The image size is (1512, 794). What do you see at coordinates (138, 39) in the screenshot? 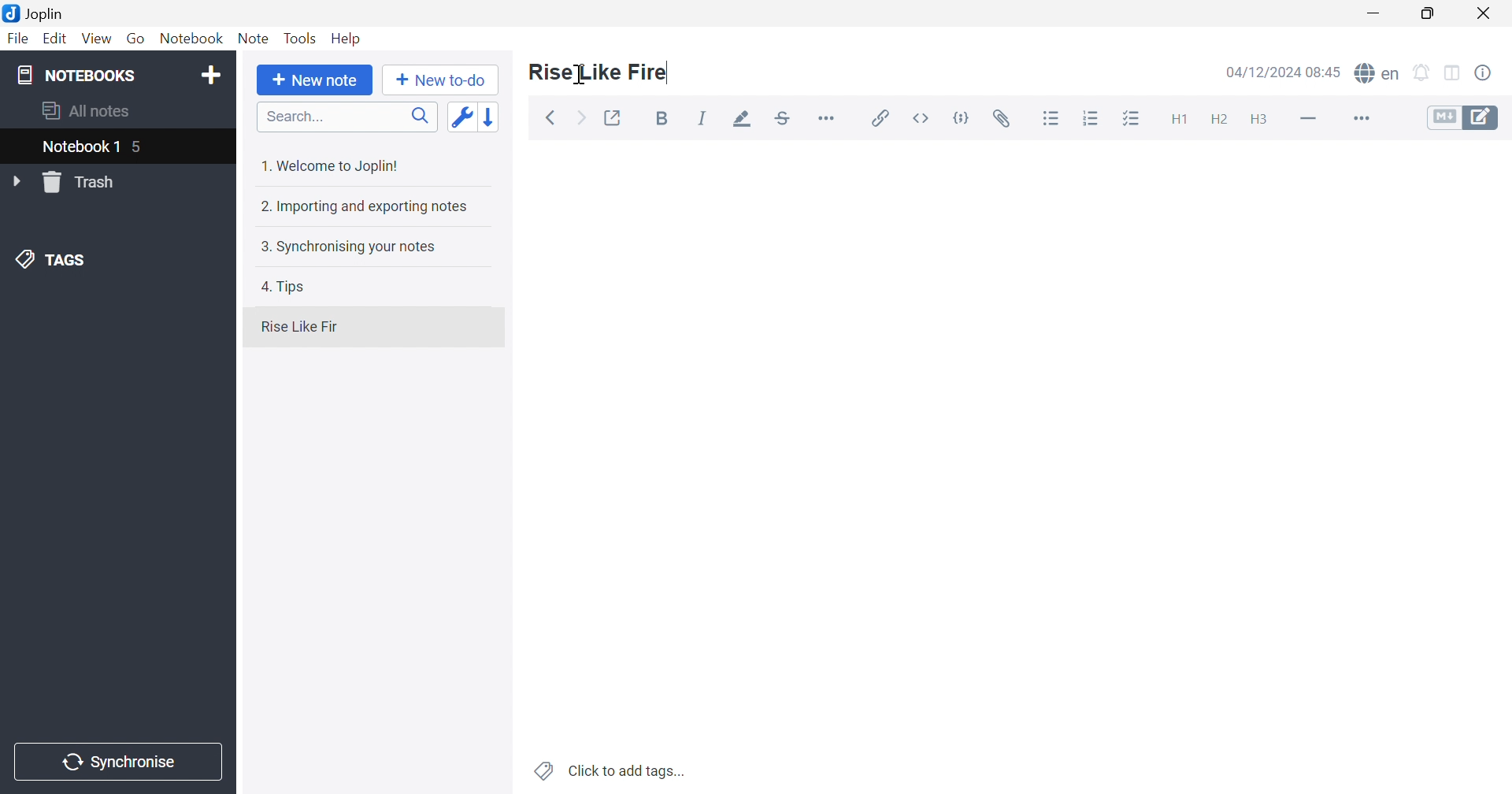
I see `Go` at bounding box center [138, 39].